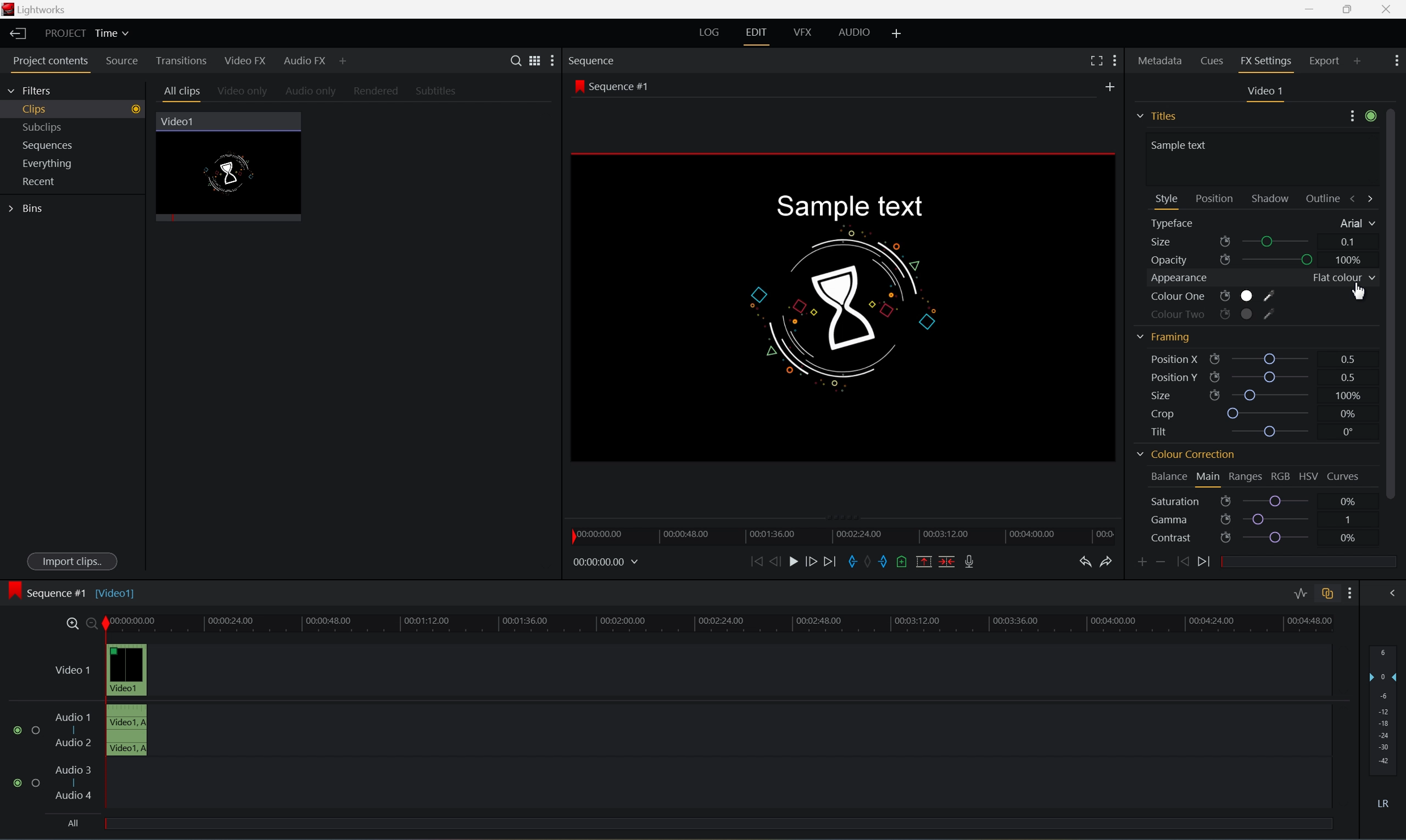 This screenshot has width=1406, height=840. I want to click on undo, so click(1086, 563).